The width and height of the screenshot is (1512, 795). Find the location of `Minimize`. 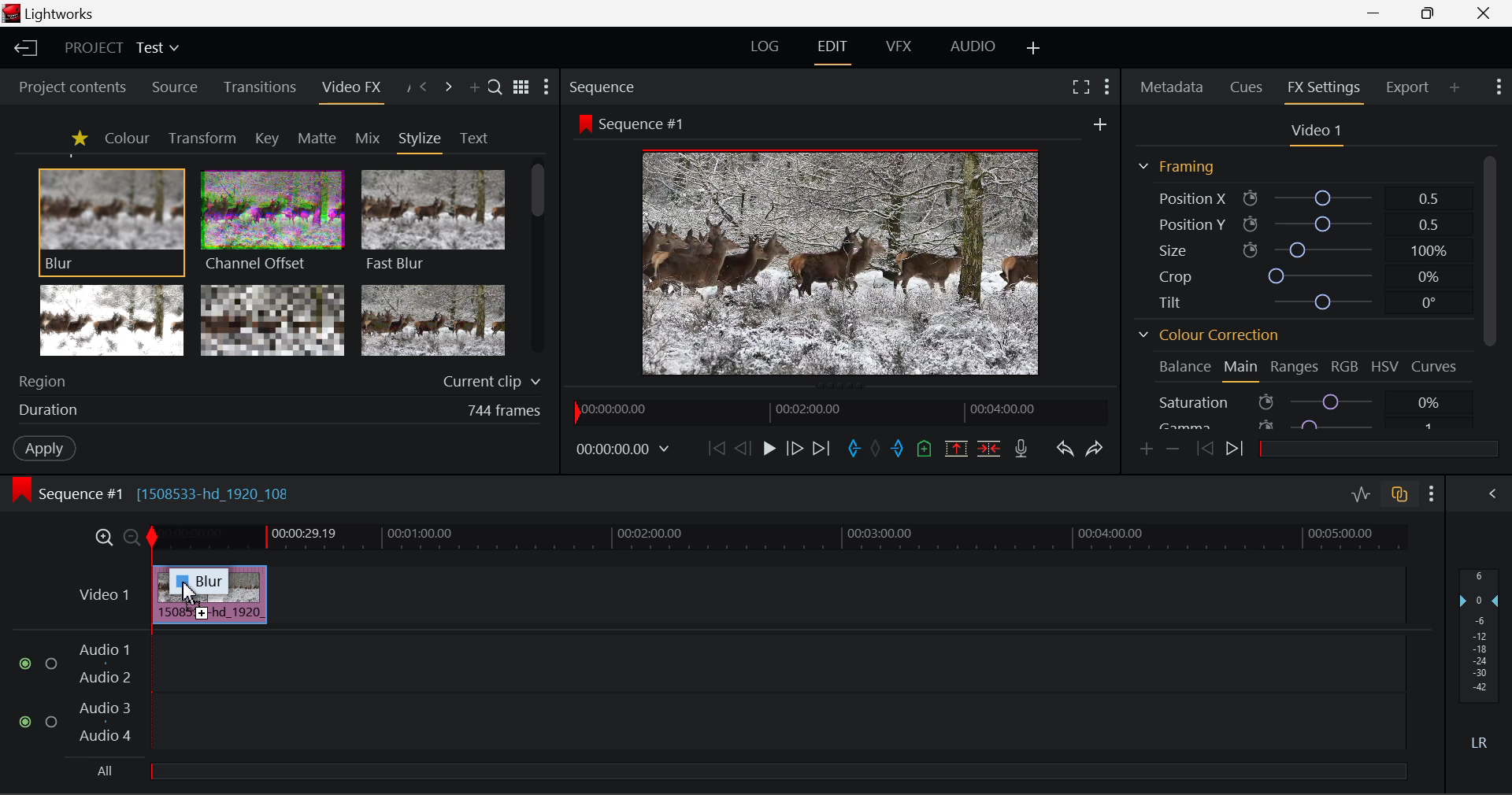

Minimize is located at coordinates (1429, 14).